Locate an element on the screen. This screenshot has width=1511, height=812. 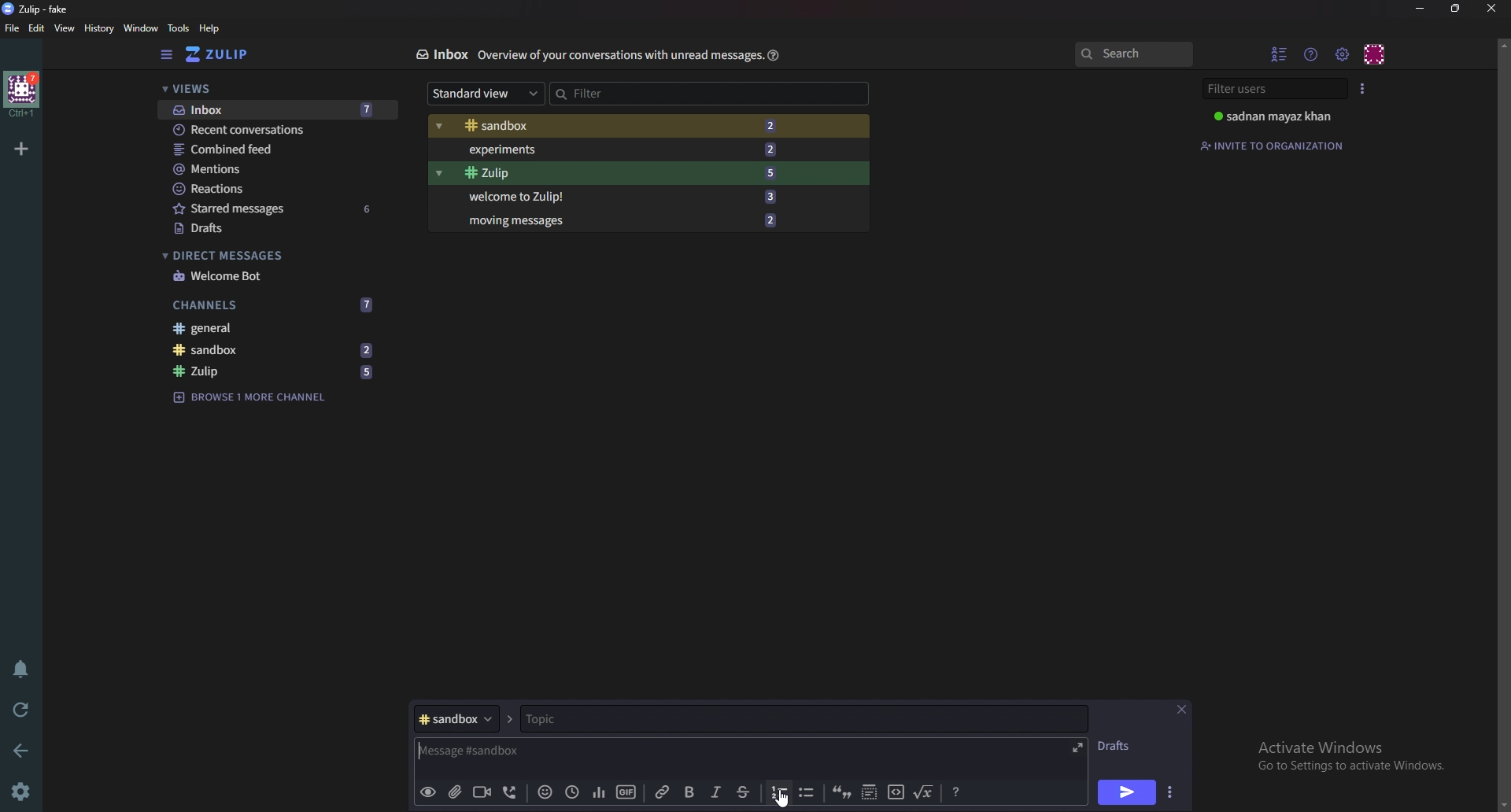
Spoiler is located at coordinates (867, 794).